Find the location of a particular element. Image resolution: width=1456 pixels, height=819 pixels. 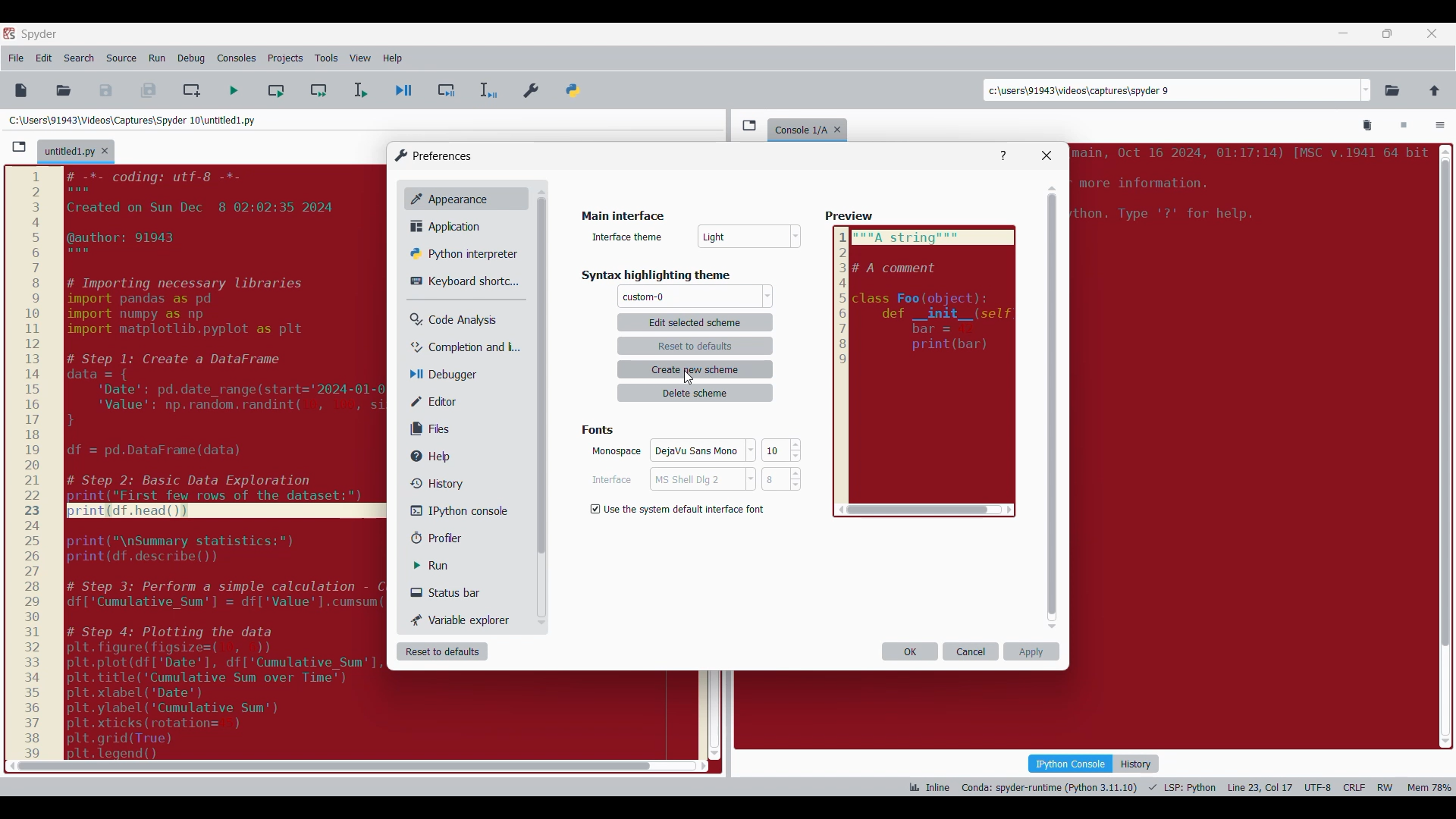

Status bar is located at coordinates (467, 592).